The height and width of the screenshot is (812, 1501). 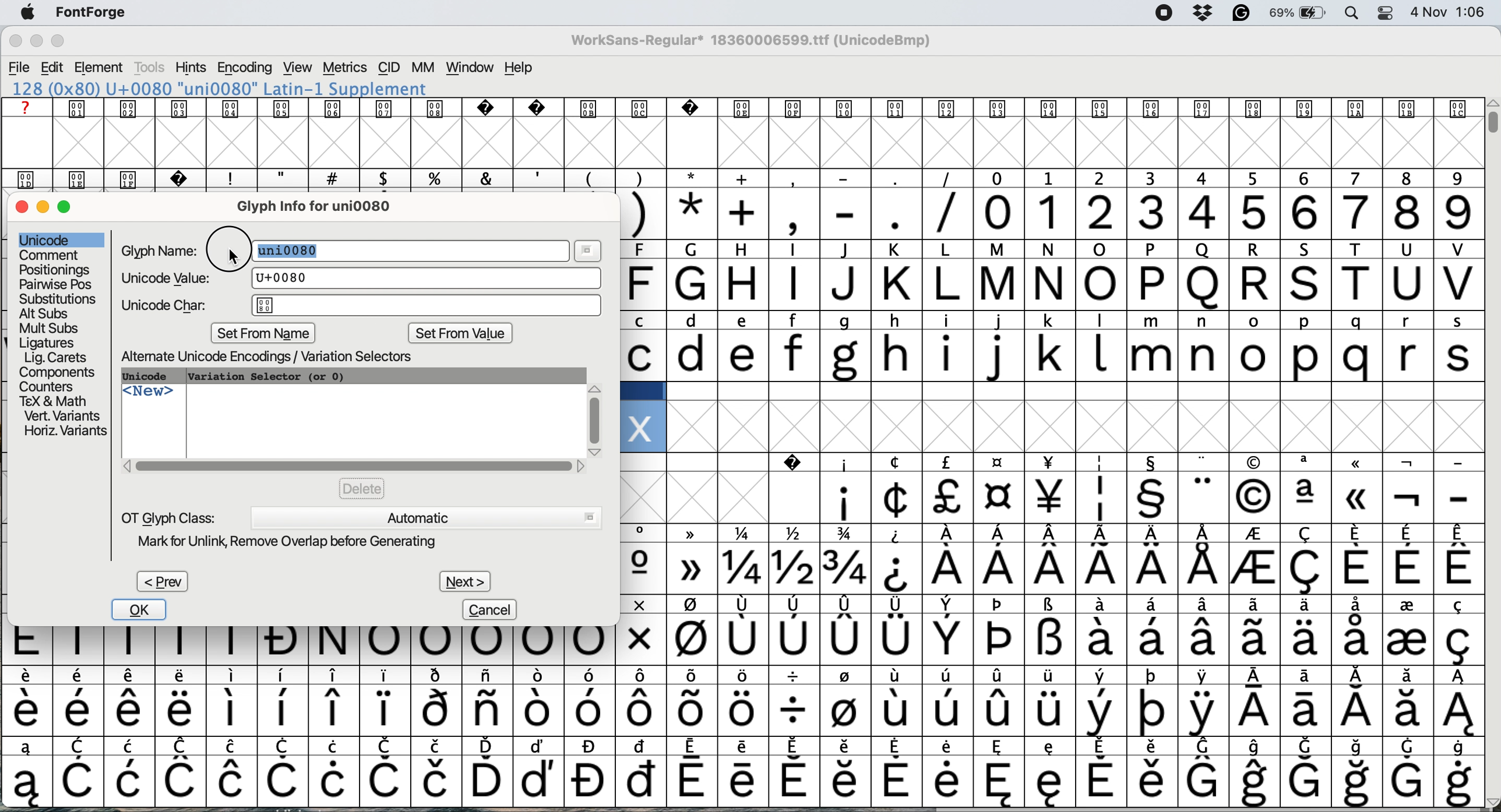 I want to click on set from name, so click(x=266, y=333).